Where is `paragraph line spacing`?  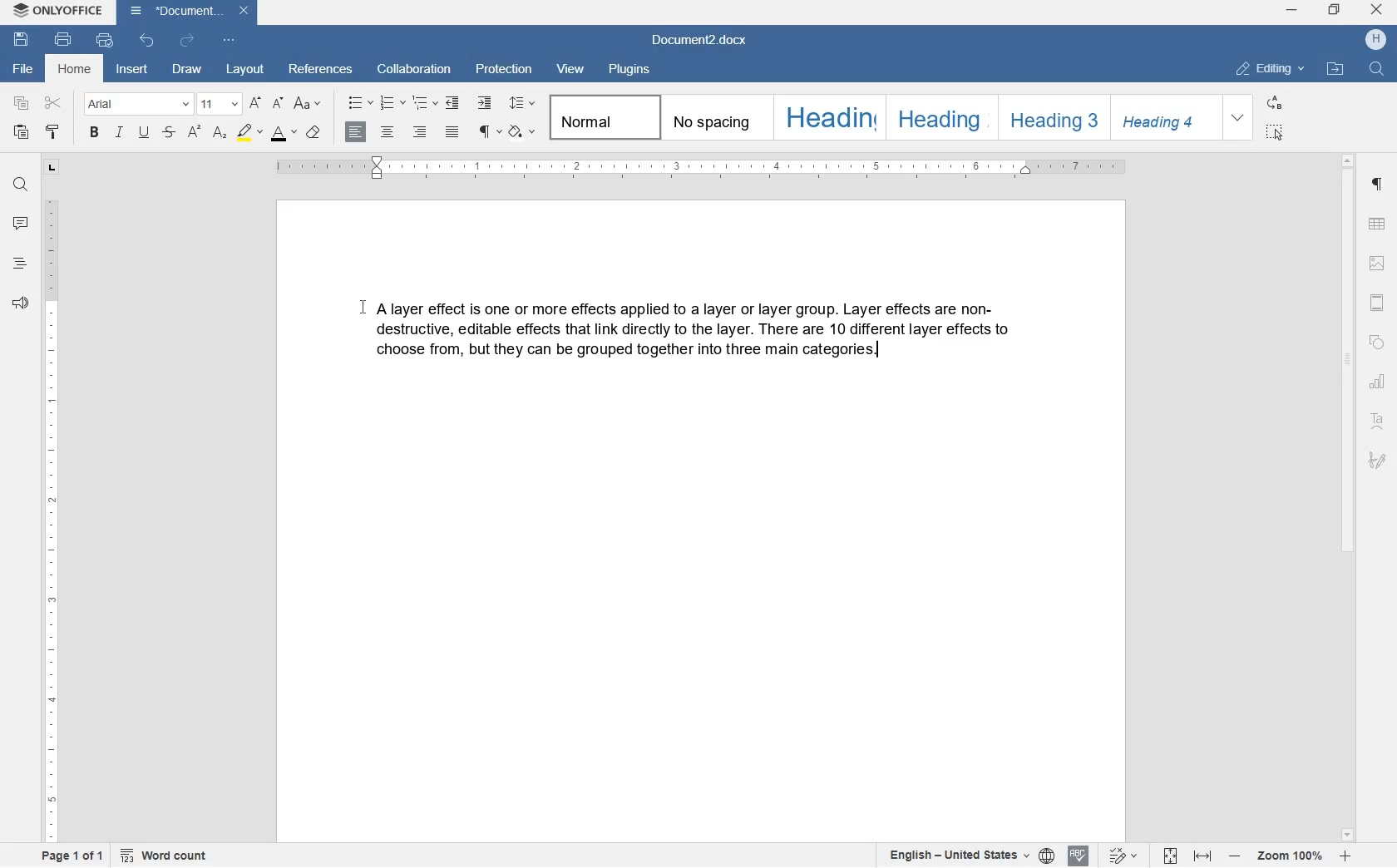
paragraph line spacing is located at coordinates (522, 104).